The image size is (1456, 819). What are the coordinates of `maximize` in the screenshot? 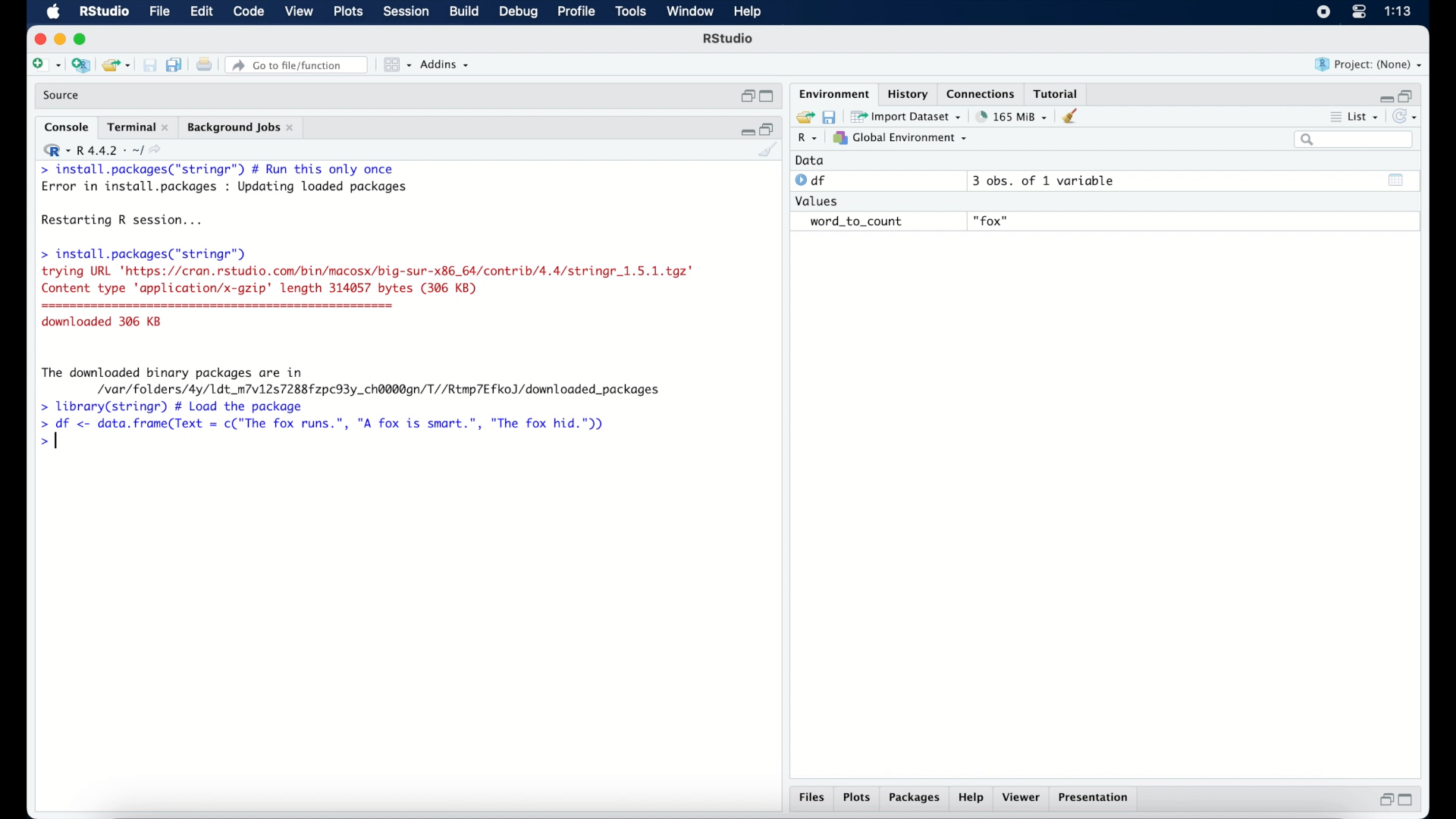 It's located at (1409, 800).